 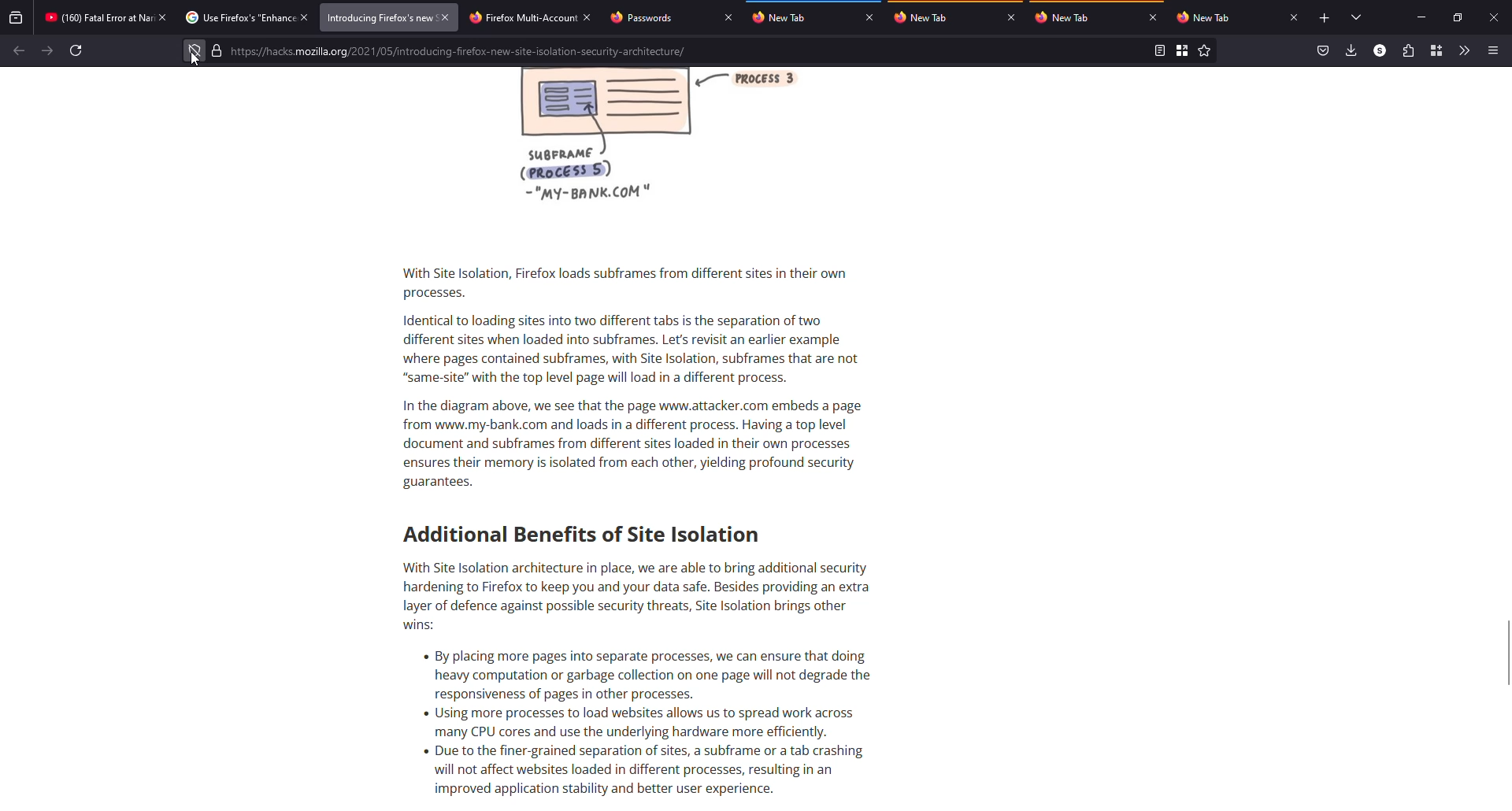 I want to click on view recent, so click(x=17, y=17).